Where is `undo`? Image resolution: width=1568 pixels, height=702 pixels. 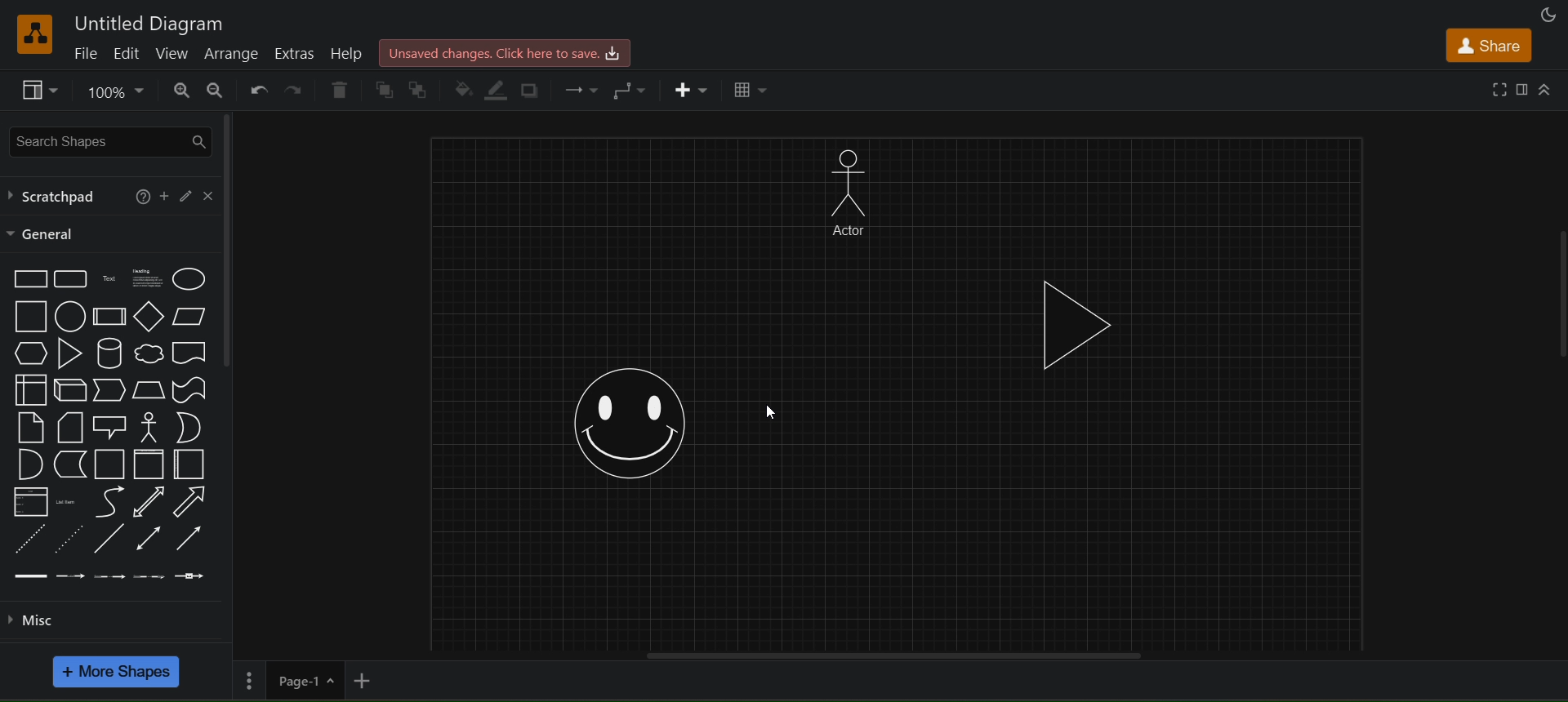 undo is located at coordinates (256, 88).